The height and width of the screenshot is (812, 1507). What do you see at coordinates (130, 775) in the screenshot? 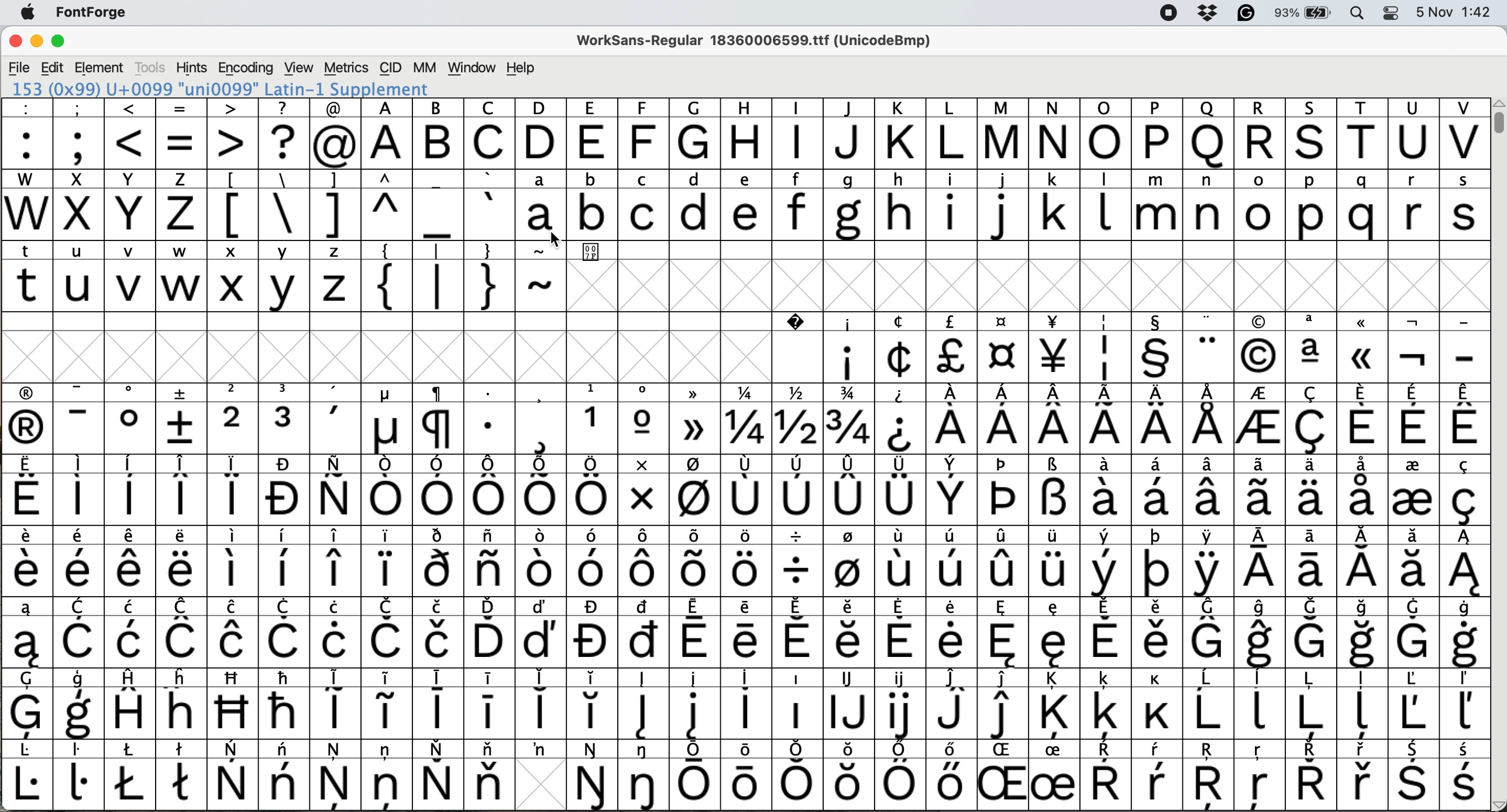
I see `symbol` at bounding box center [130, 775].